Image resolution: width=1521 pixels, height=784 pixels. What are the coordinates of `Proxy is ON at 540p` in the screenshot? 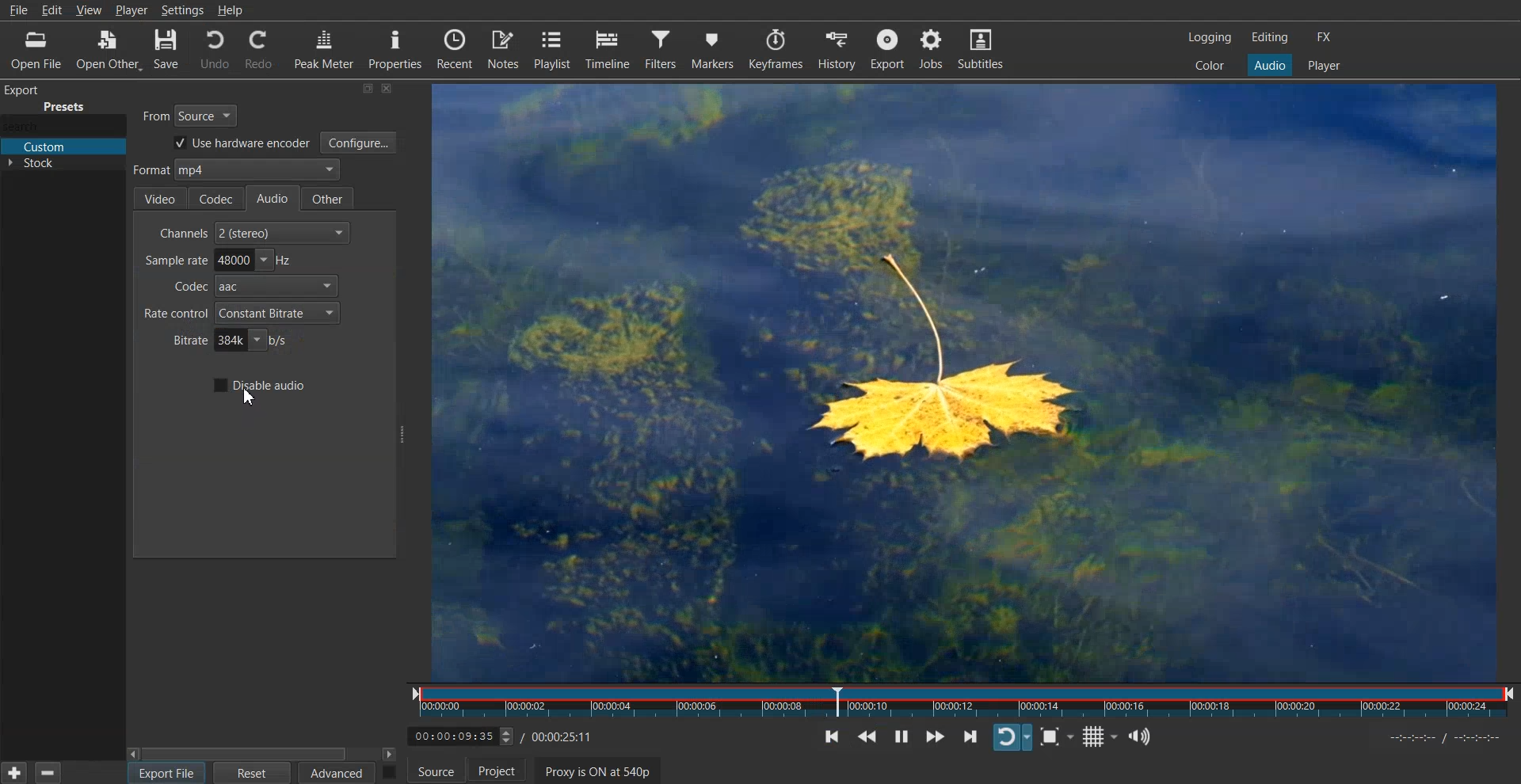 It's located at (605, 772).